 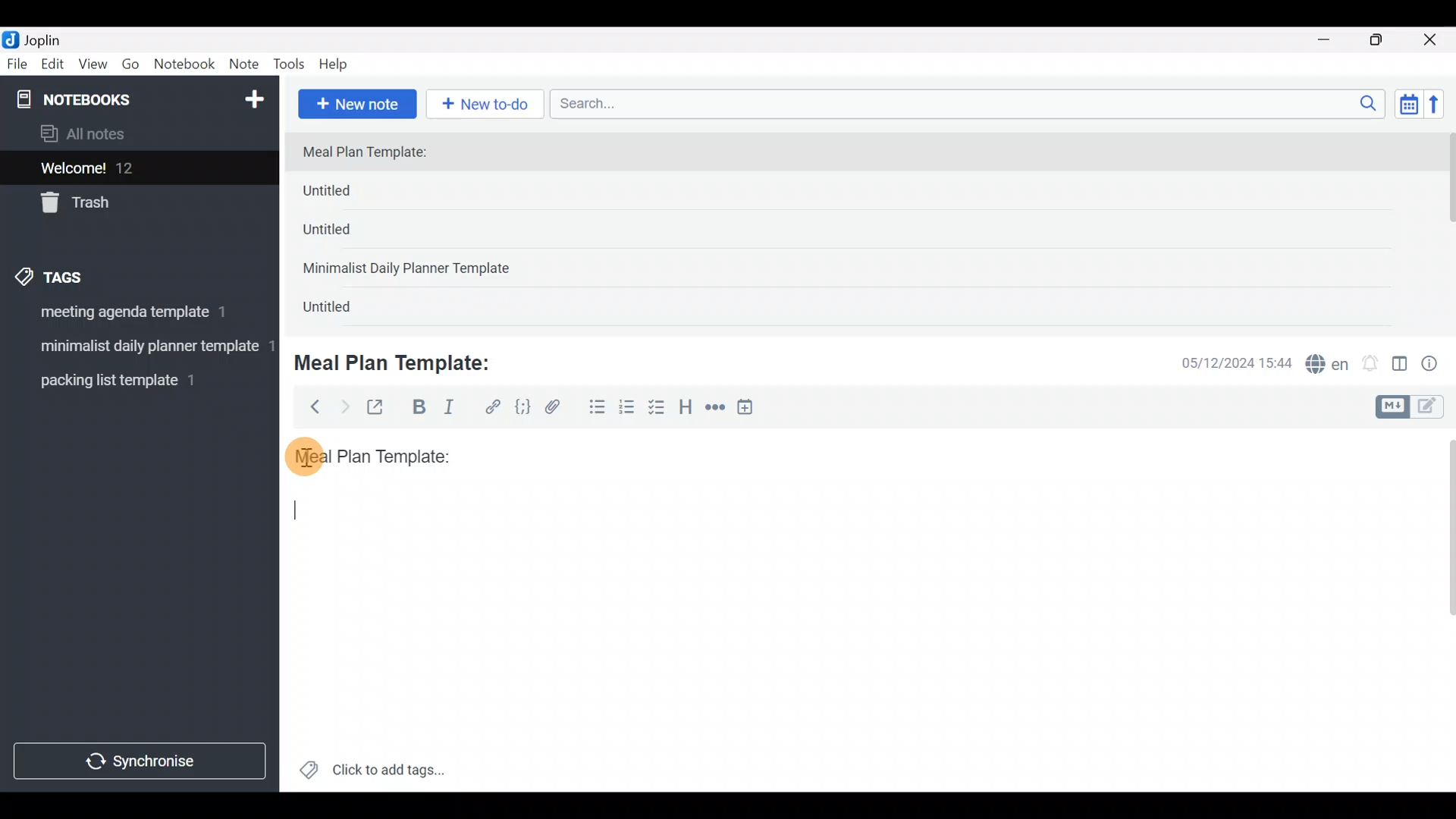 I want to click on Click to add tags, so click(x=372, y=775).